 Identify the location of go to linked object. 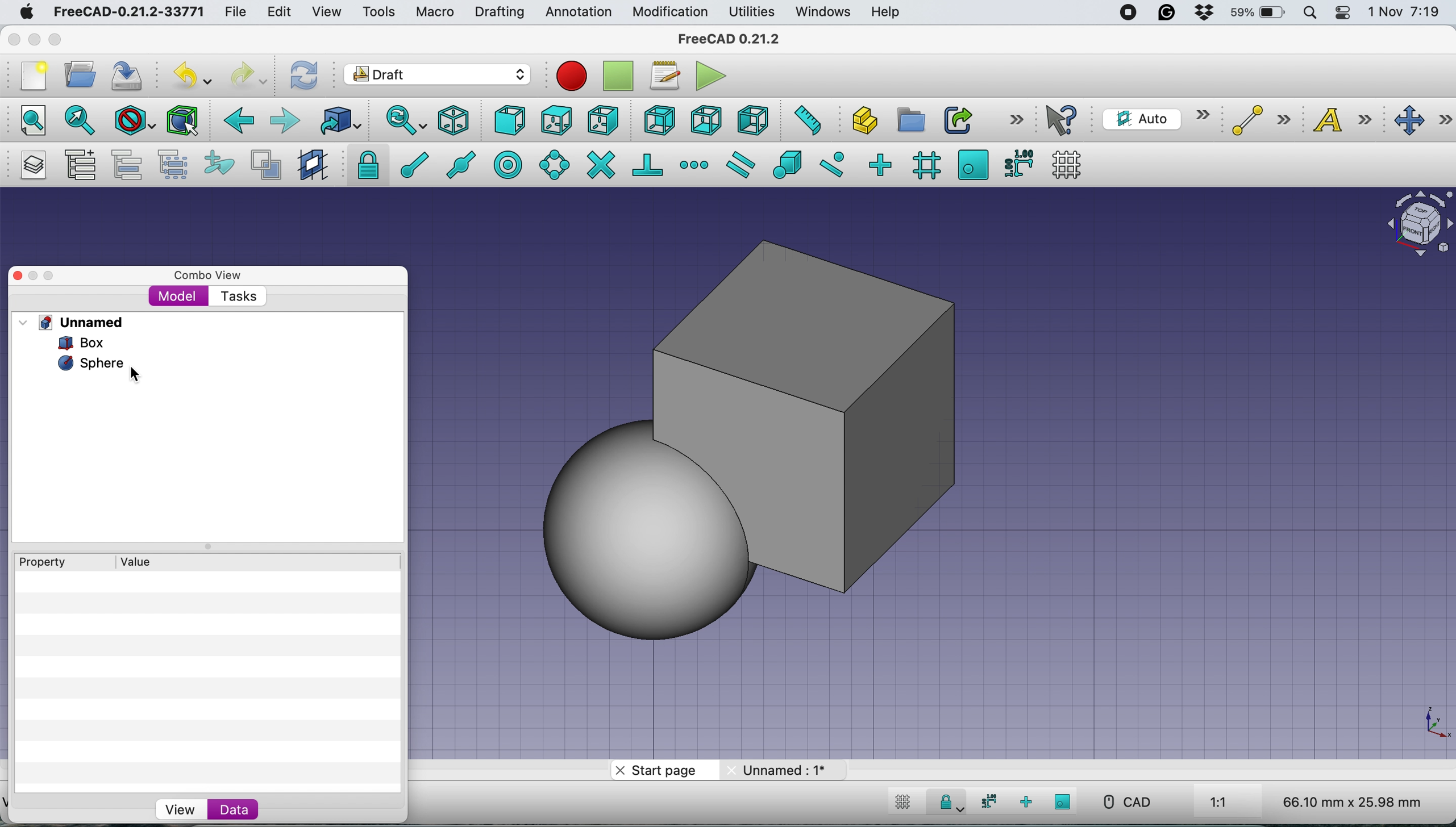
(340, 120).